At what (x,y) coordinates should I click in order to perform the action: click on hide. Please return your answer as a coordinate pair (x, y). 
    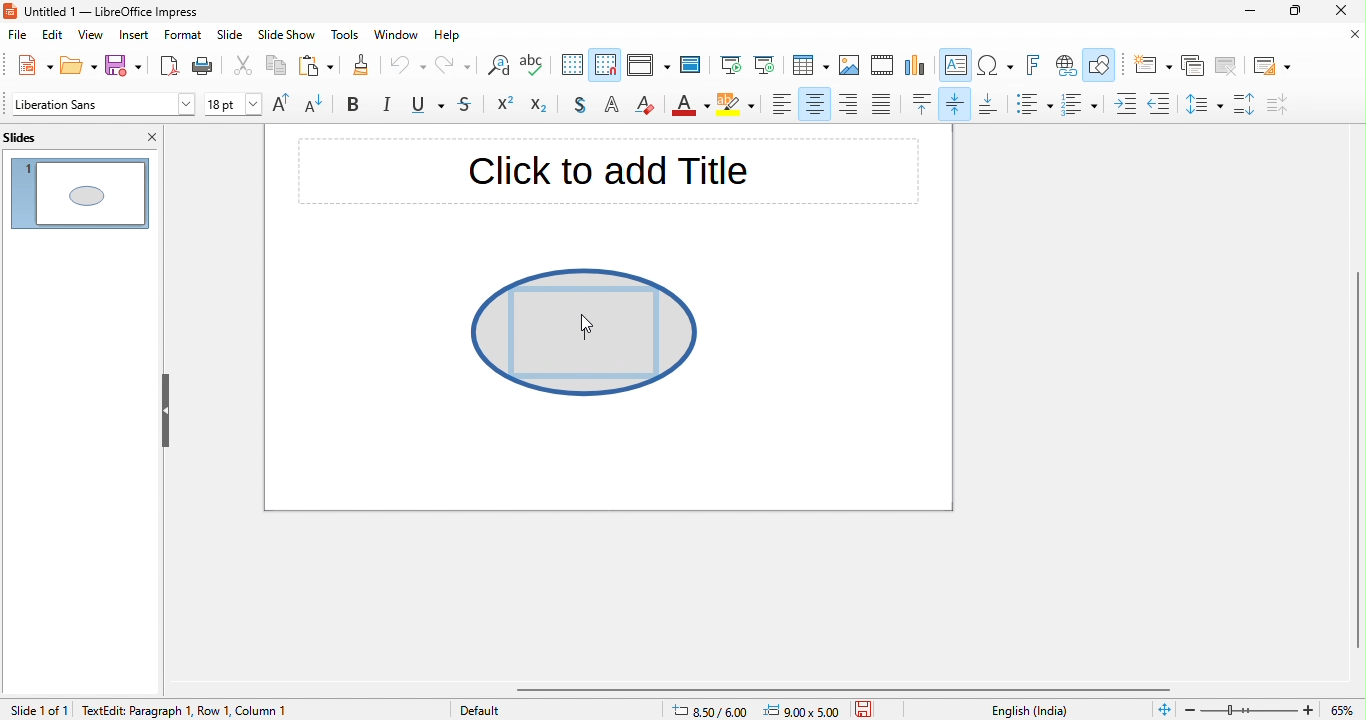
    Looking at the image, I should click on (165, 410).